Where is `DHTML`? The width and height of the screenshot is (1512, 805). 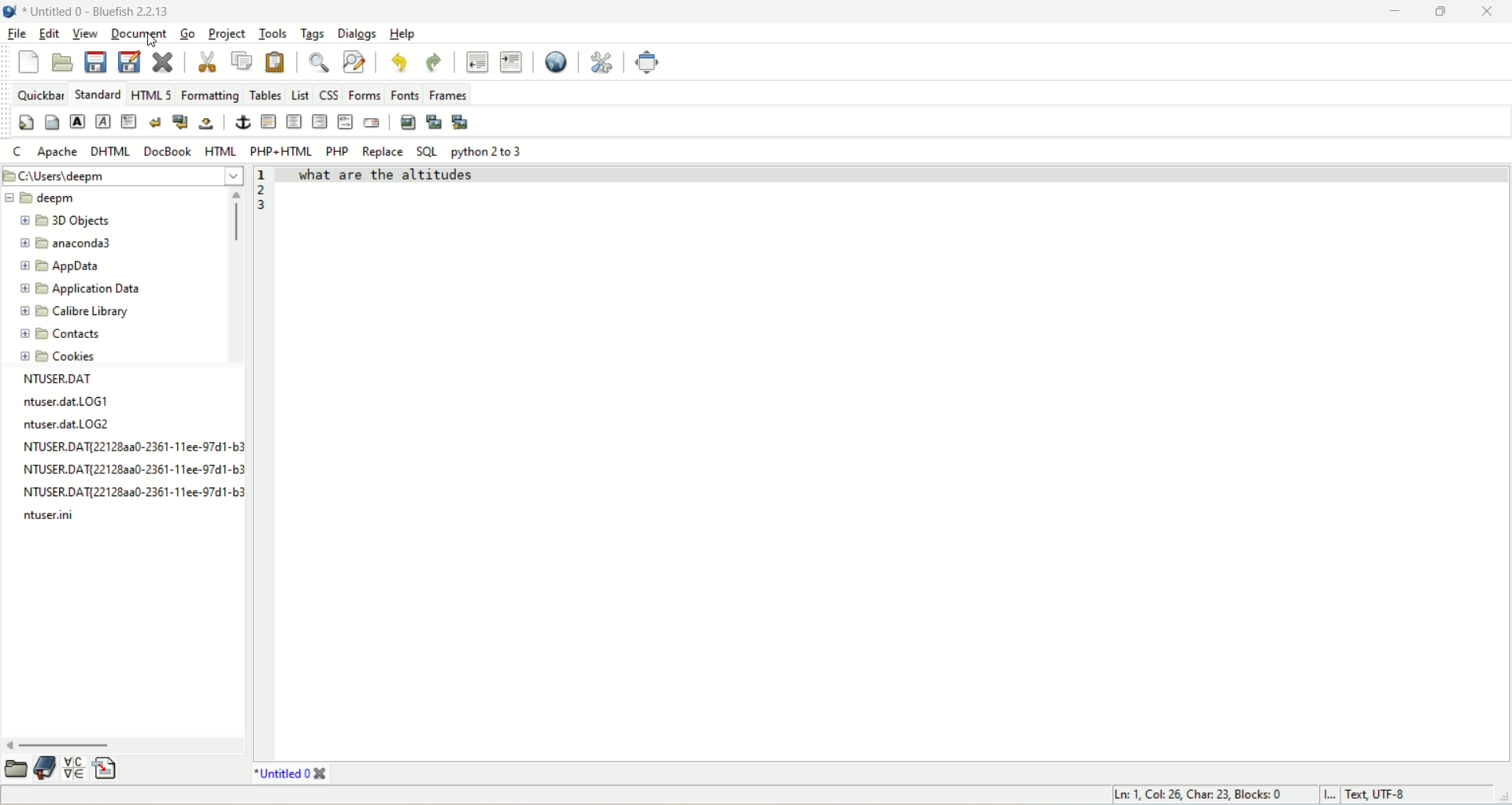 DHTML is located at coordinates (109, 150).